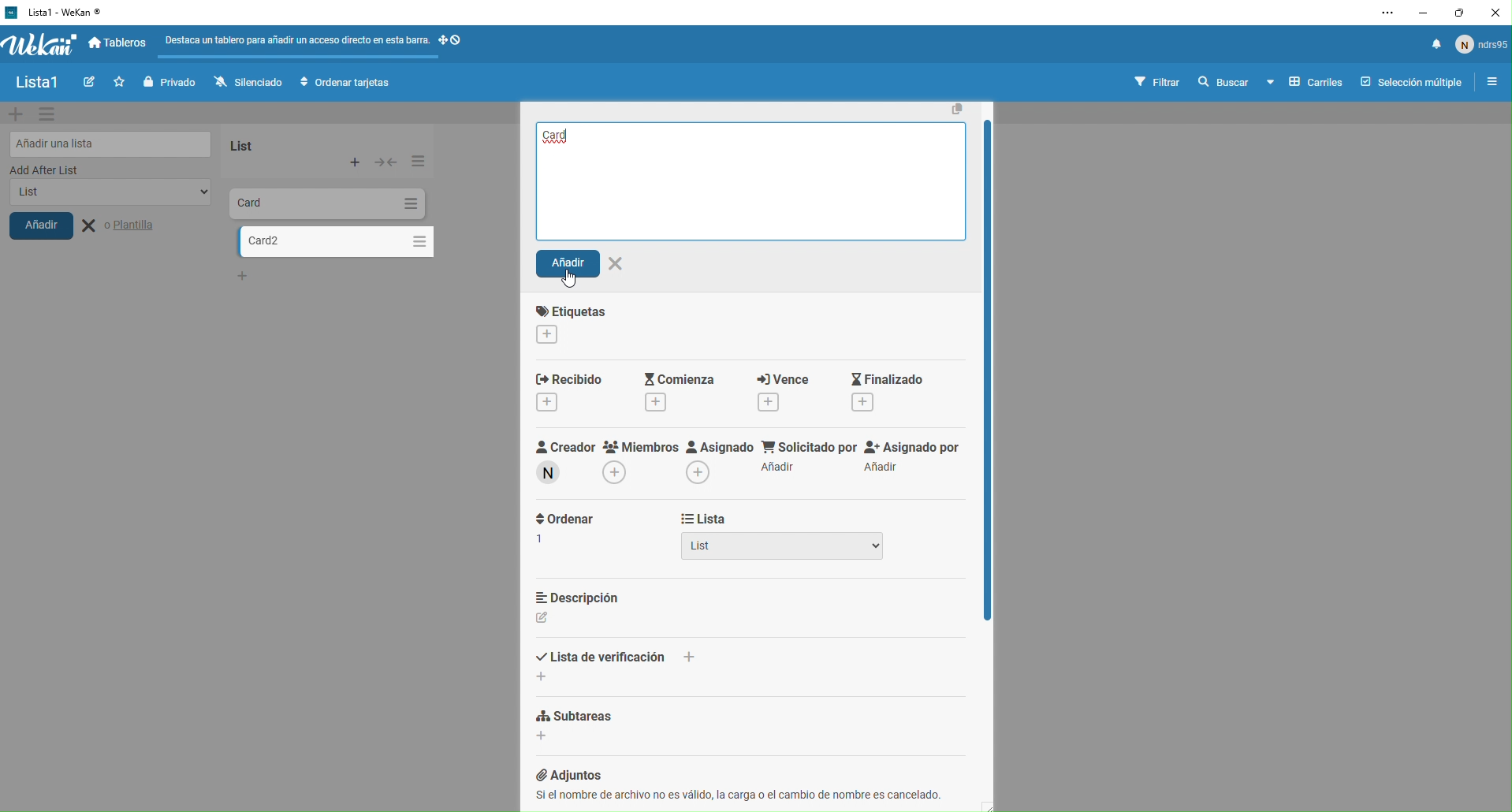 The image size is (1512, 812). I want to click on Favorites, so click(117, 81).